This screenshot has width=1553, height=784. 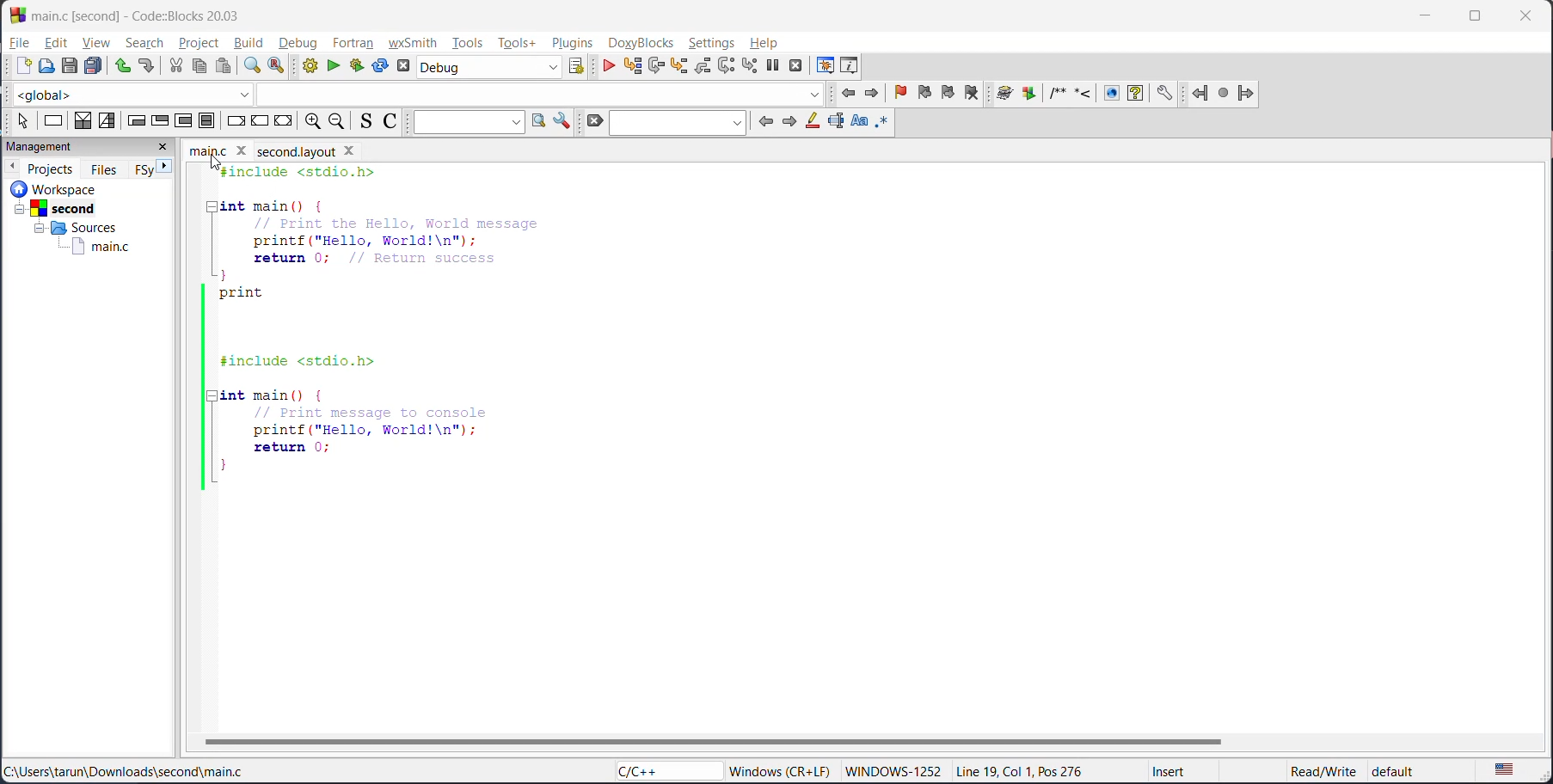 I want to click on maximize, so click(x=1479, y=17).